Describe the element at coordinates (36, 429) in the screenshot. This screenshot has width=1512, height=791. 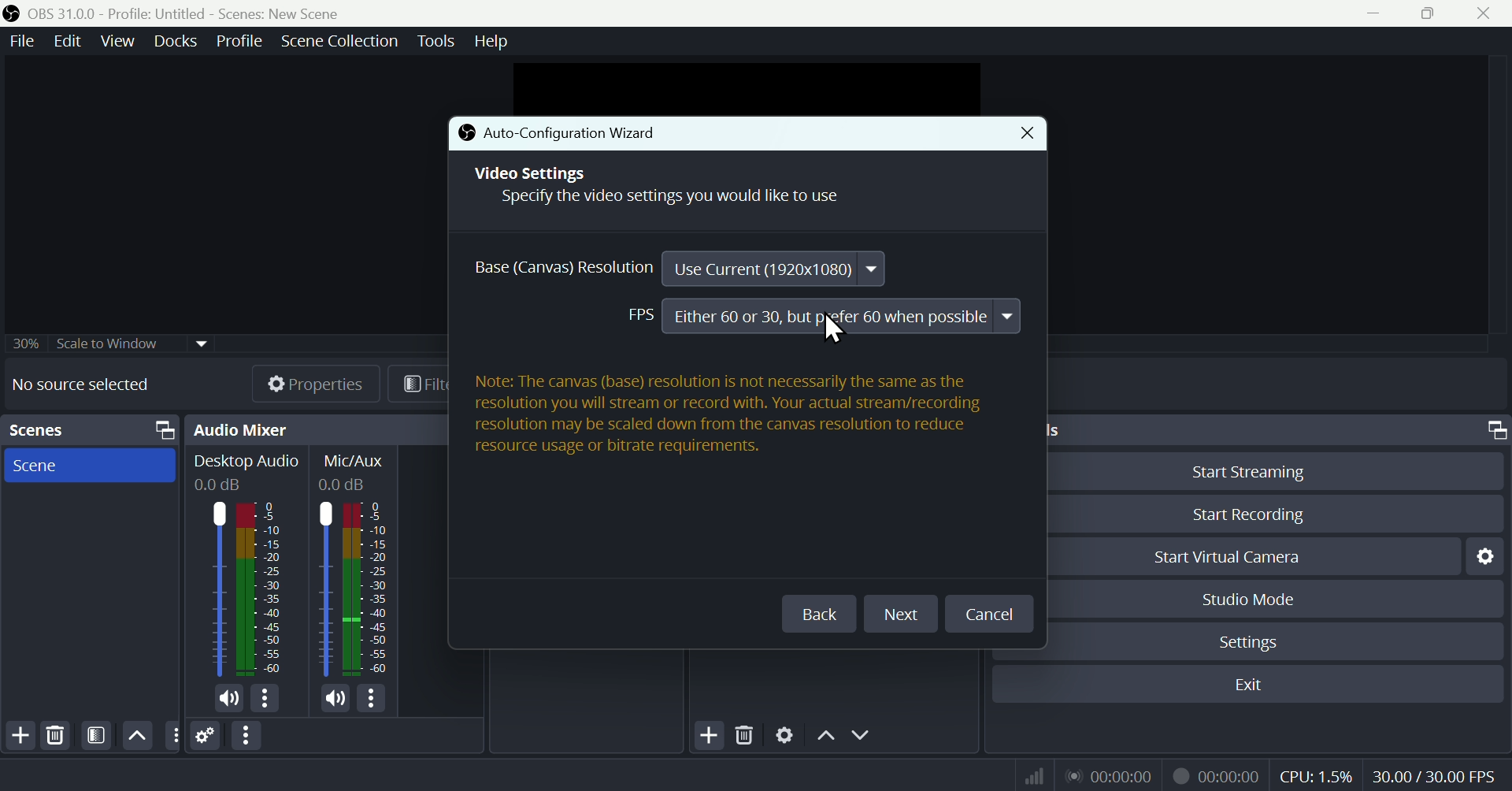
I see `Scenes` at that location.